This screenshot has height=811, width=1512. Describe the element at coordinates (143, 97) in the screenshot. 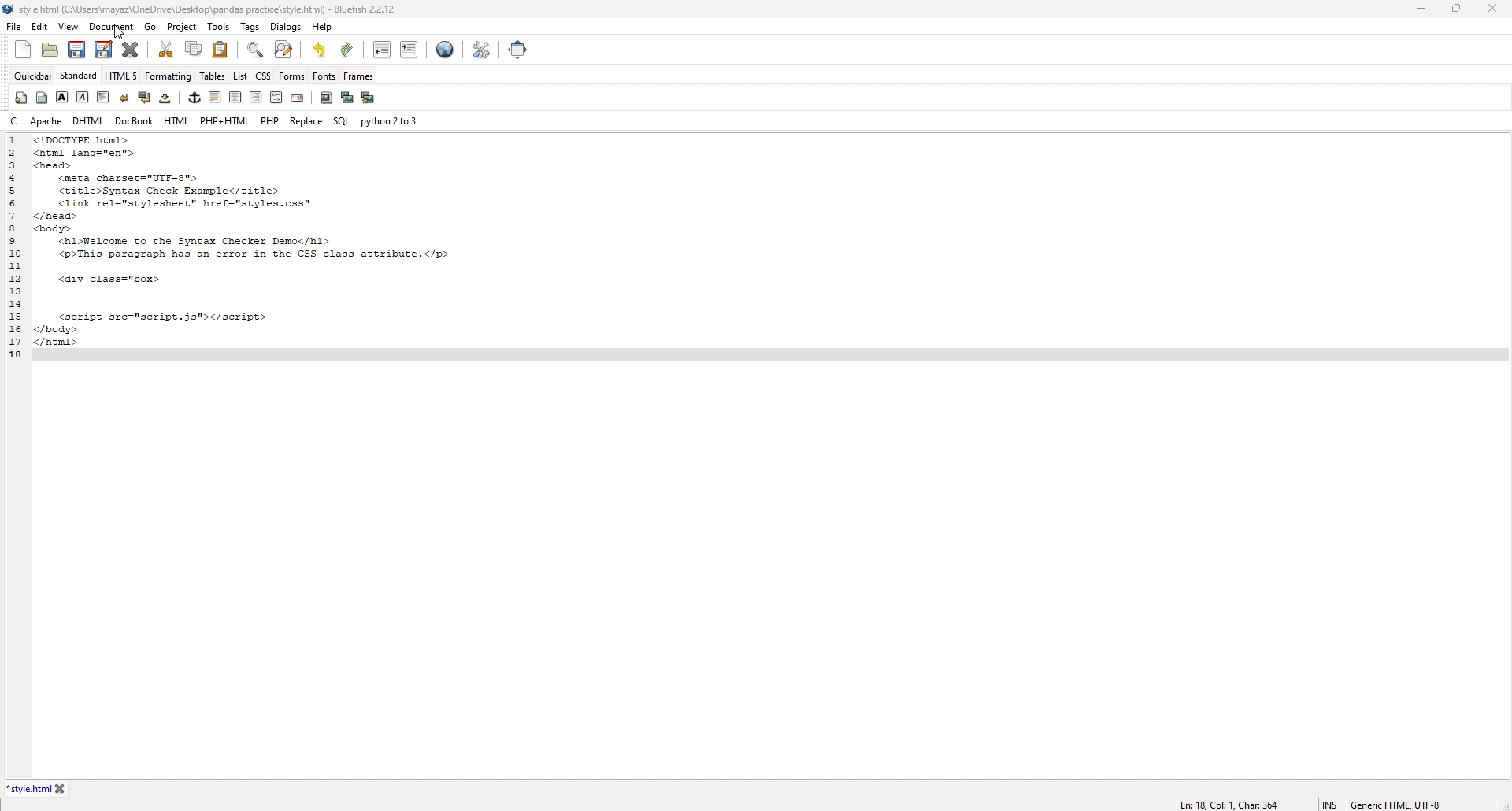

I see `break and clear` at that location.